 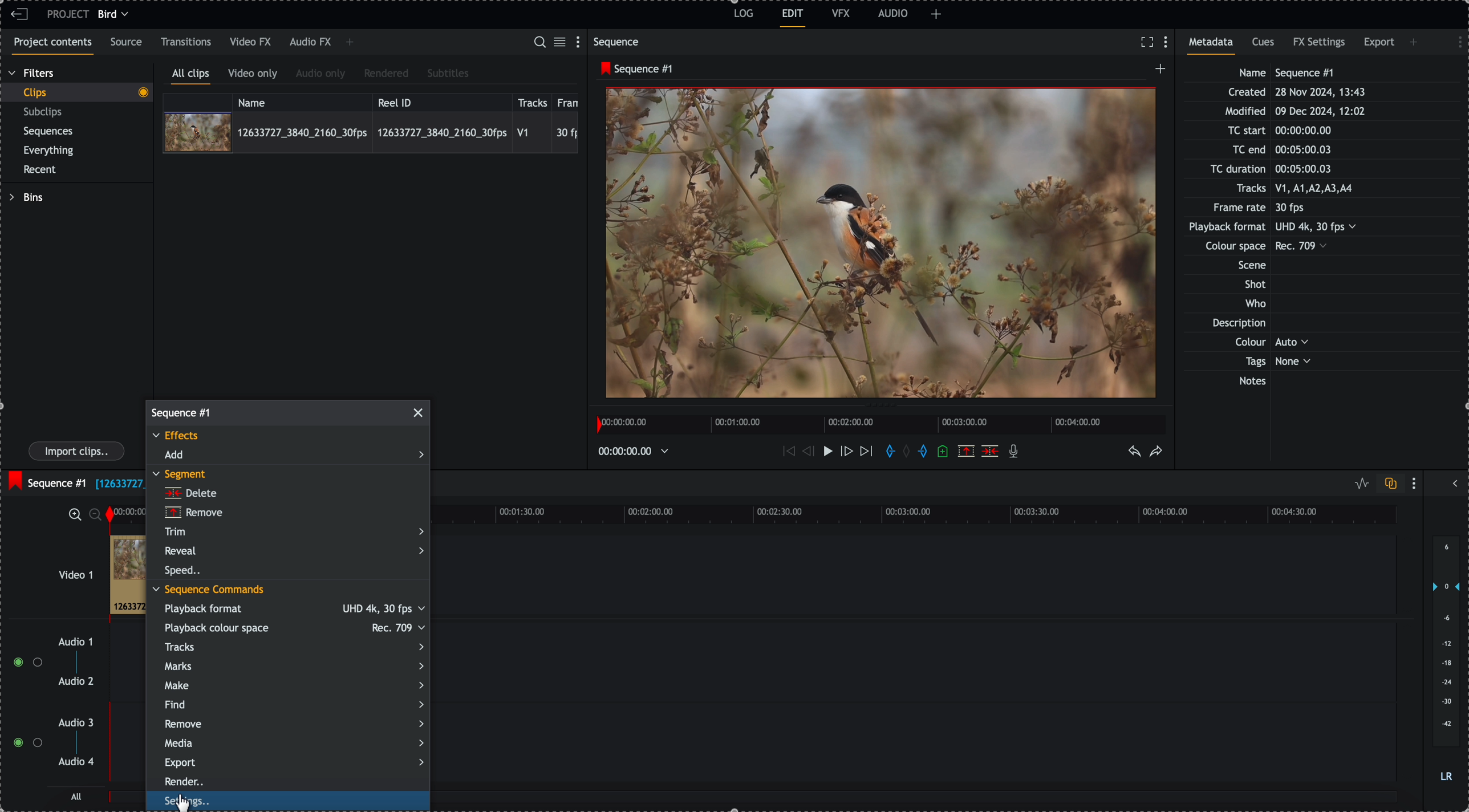 I want to click on add panel, so click(x=1415, y=42).